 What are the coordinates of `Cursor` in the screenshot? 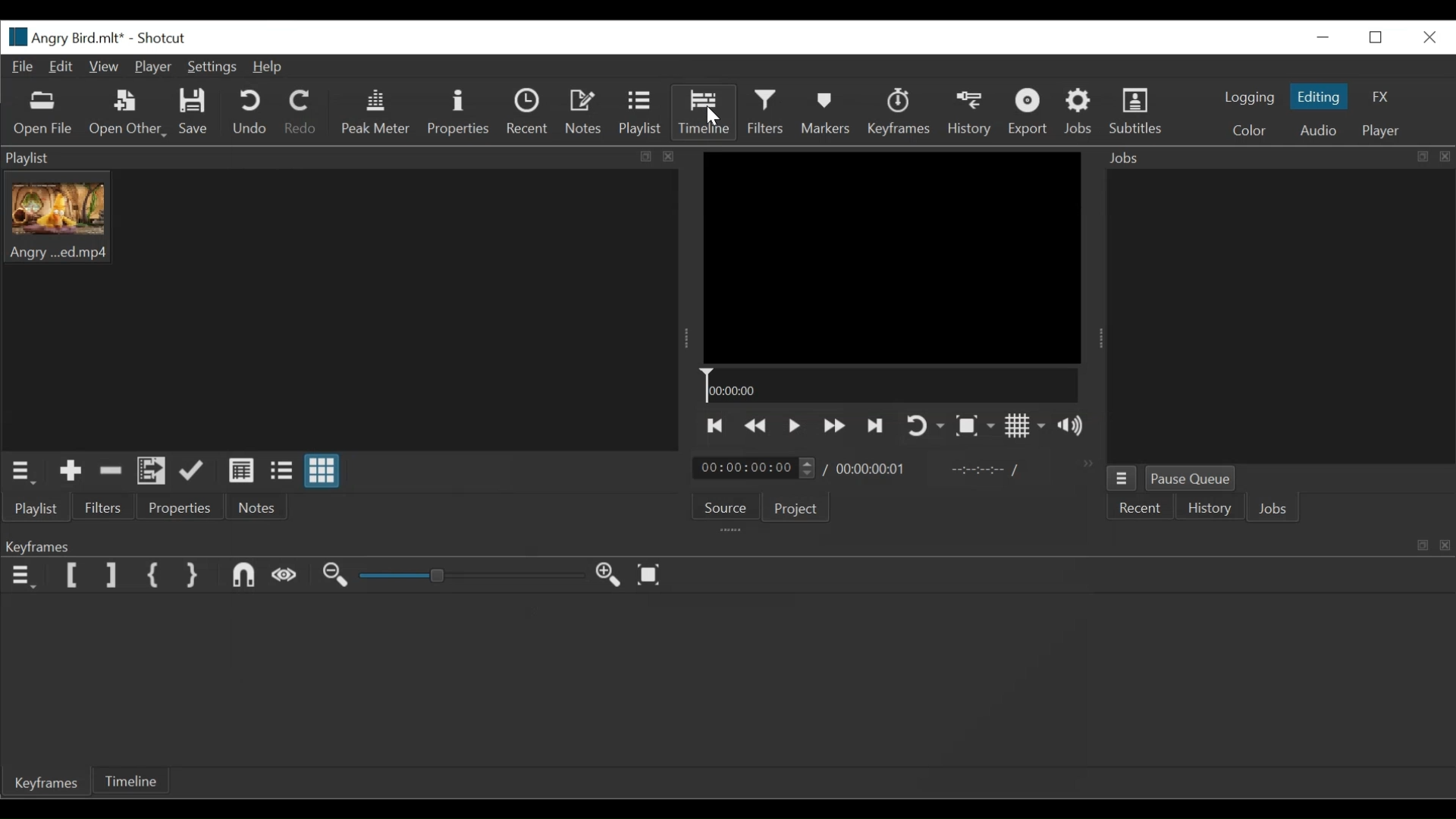 It's located at (716, 117).